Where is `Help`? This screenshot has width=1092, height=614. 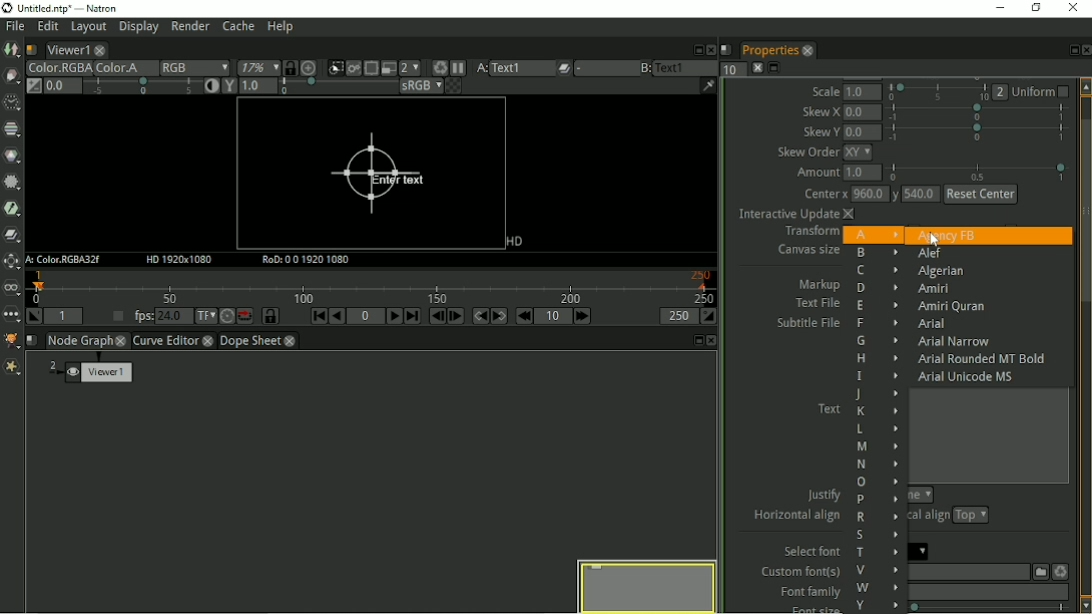
Help is located at coordinates (282, 27).